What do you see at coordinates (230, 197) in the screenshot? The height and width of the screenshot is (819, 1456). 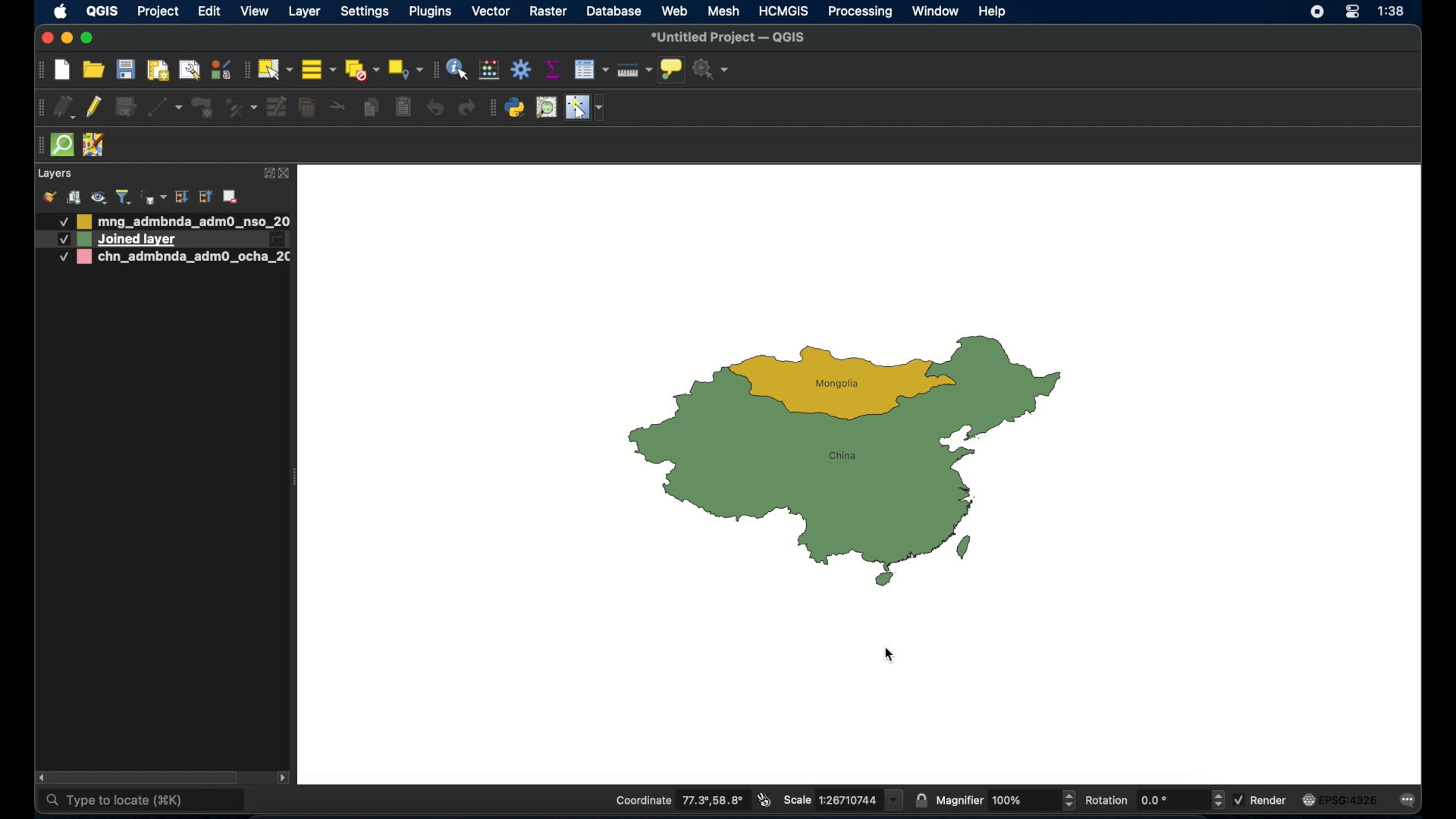 I see `add layer/group` at bounding box center [230, 197].